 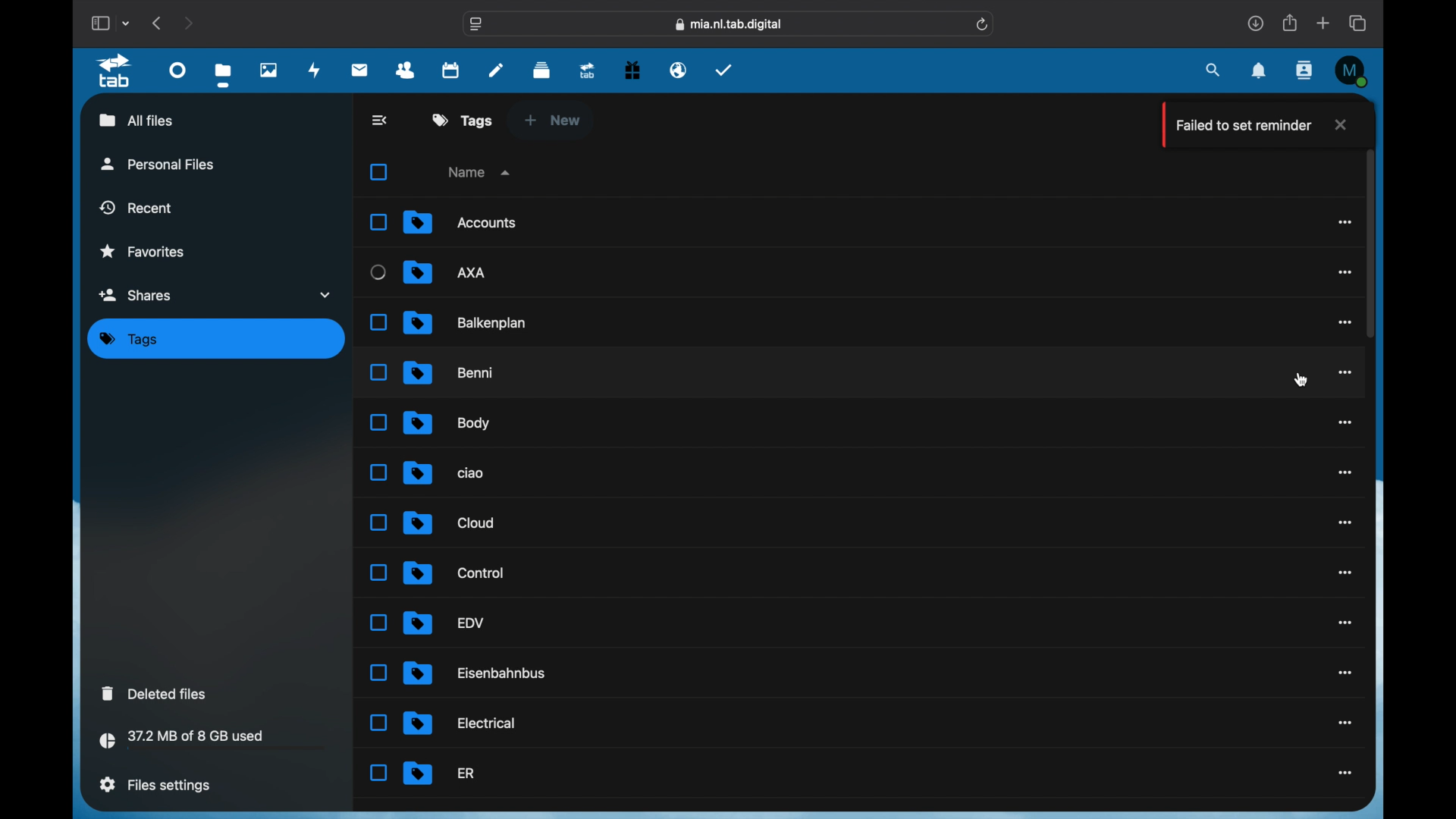 I want to click on file, so click(x=477, y=673).